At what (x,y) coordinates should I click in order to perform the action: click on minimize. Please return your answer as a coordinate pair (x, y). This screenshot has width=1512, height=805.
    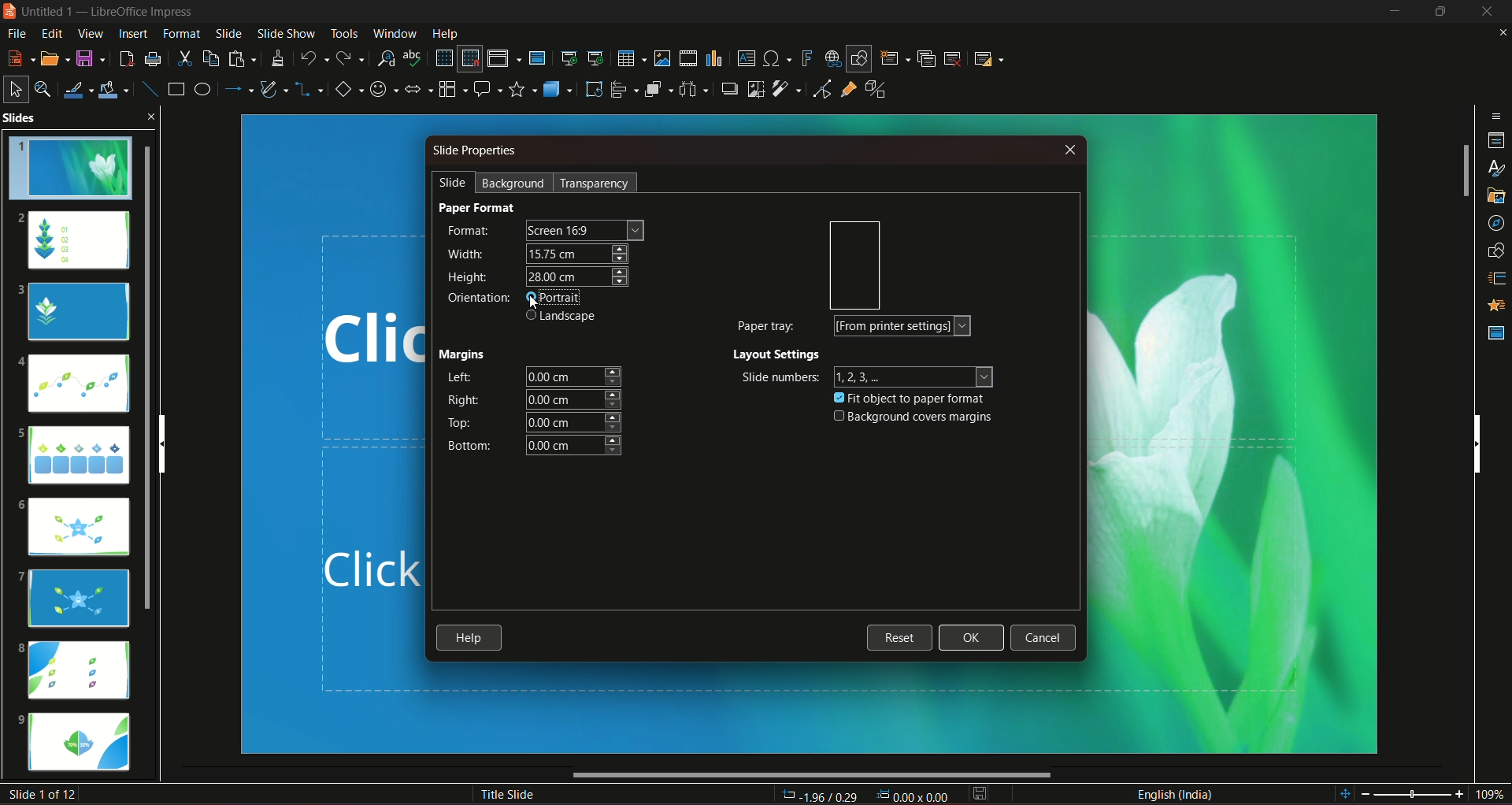
    Looking at the image, I should click on (1392, 13).